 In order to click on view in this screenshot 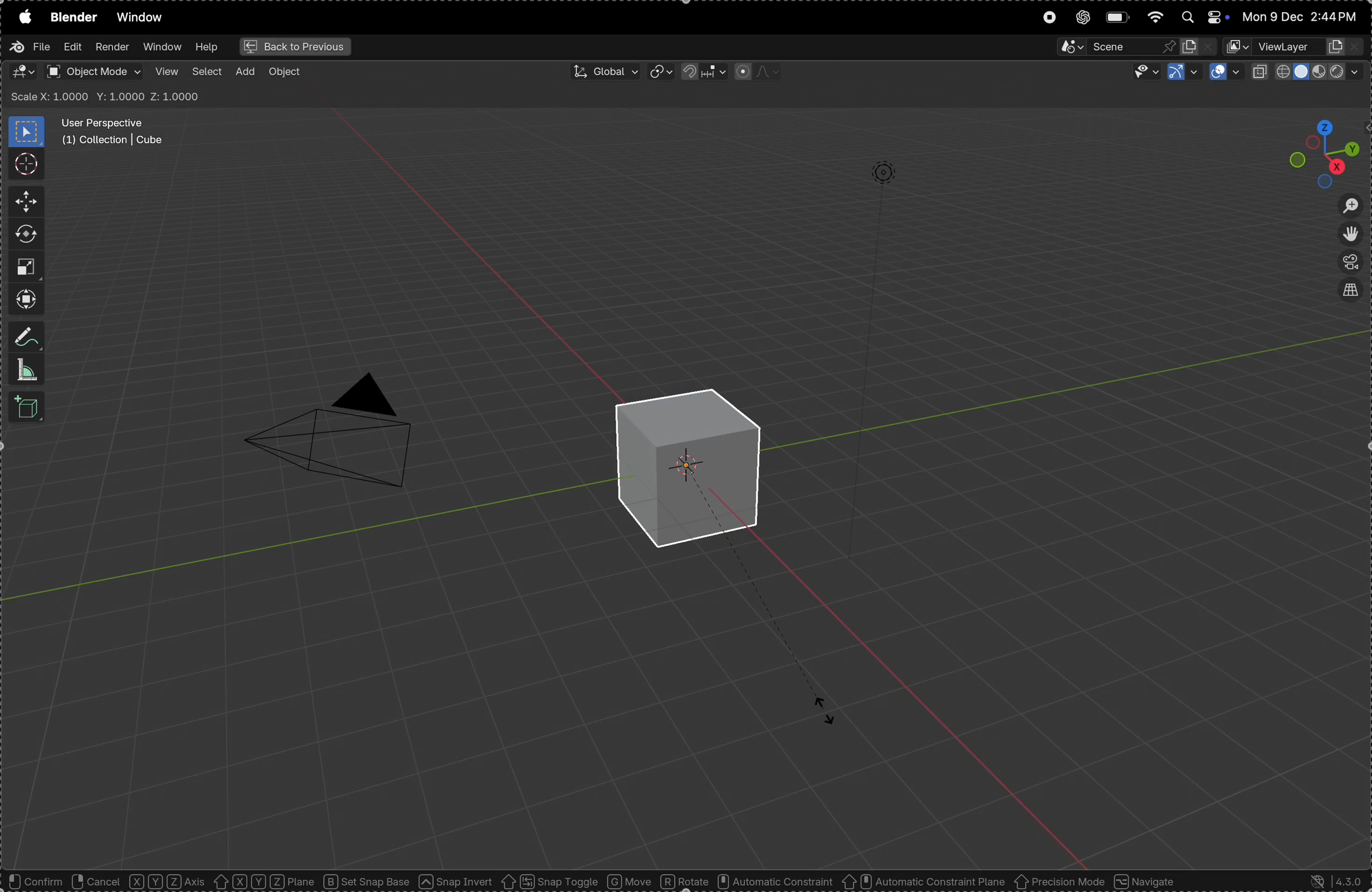, I will do `click(167, 72)`.